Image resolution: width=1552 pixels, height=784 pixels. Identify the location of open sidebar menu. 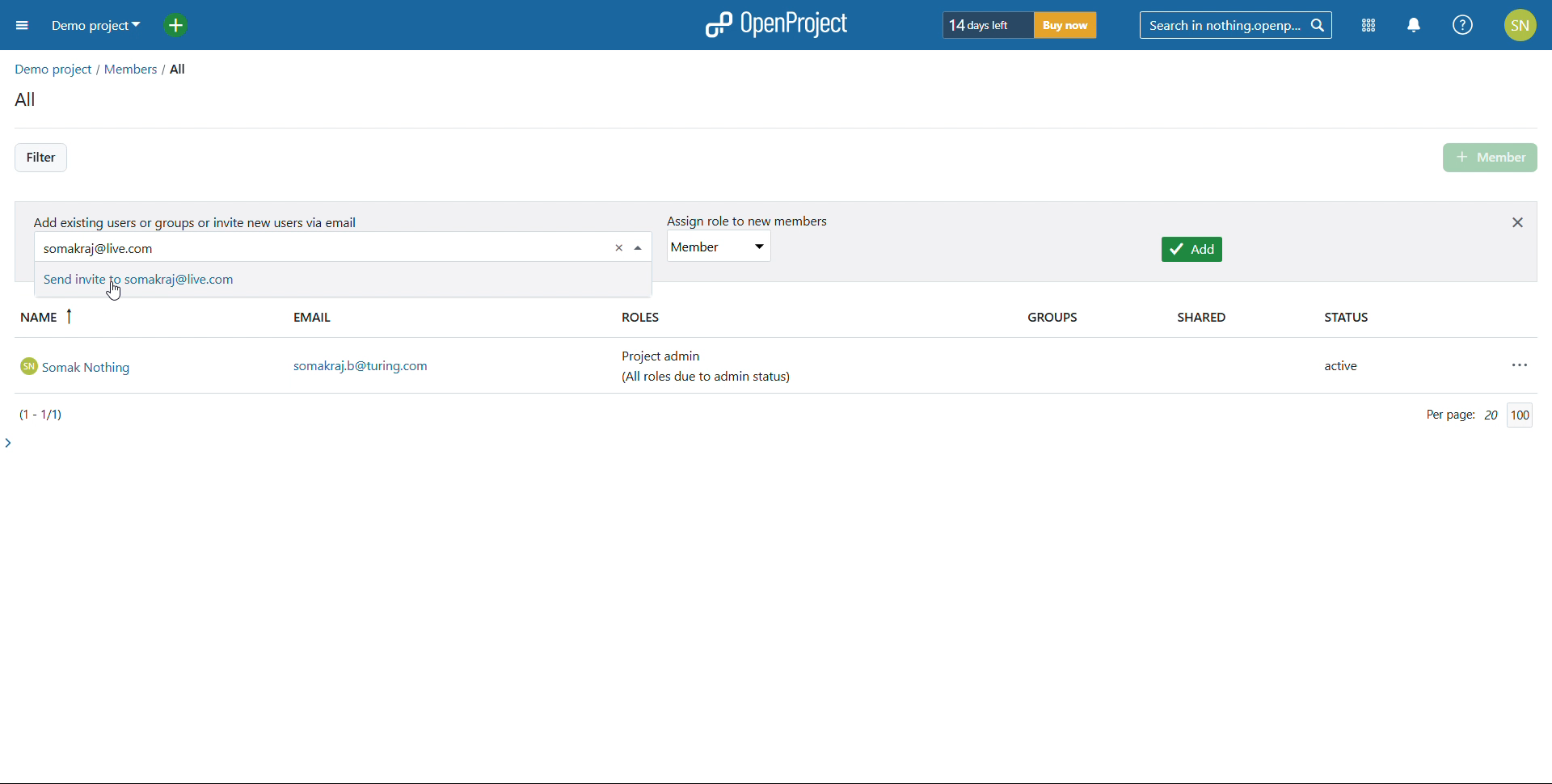
(22, 27).